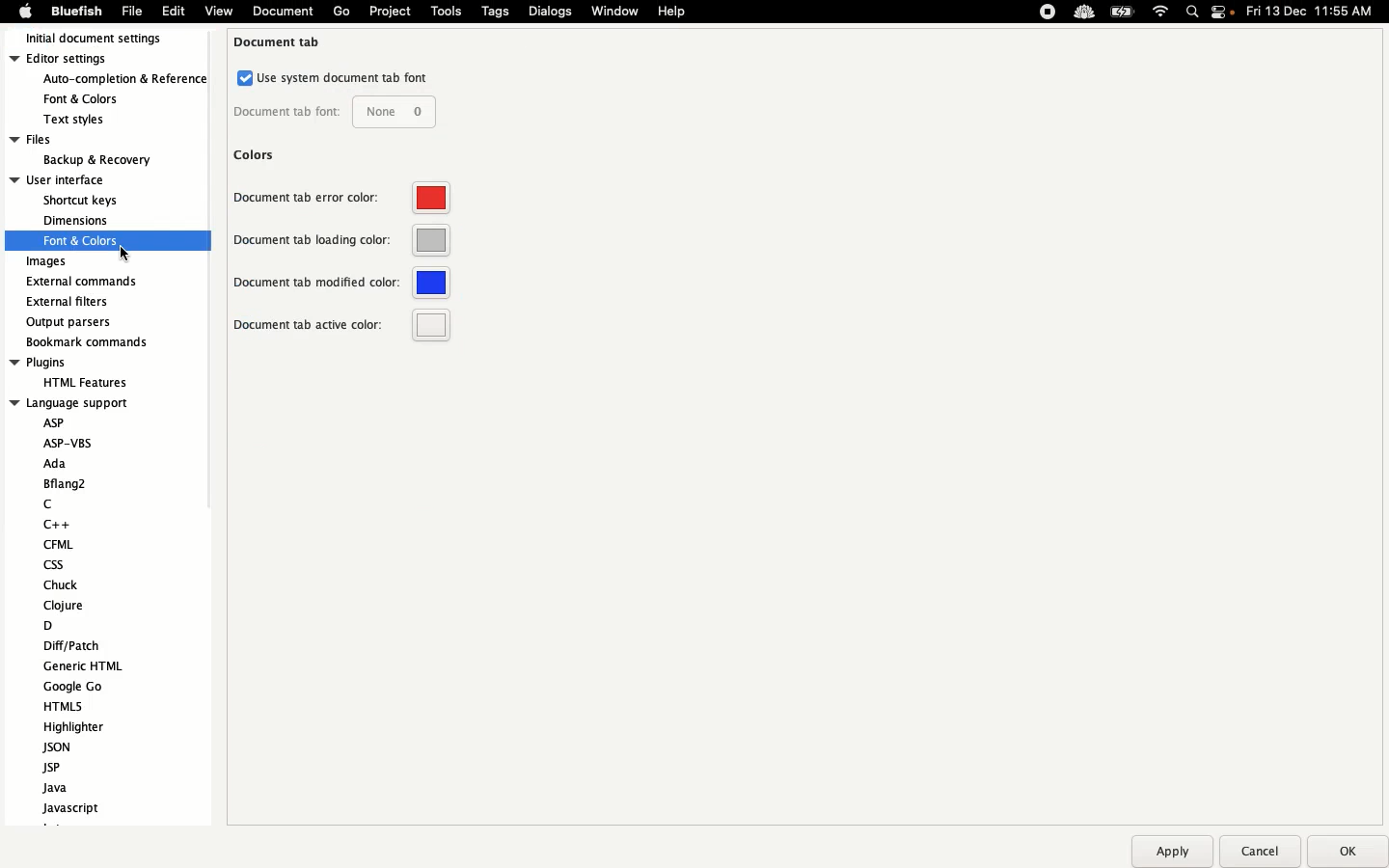 This screenshot has height=868, width=1389. I want to click on Window, so click(616, 13).